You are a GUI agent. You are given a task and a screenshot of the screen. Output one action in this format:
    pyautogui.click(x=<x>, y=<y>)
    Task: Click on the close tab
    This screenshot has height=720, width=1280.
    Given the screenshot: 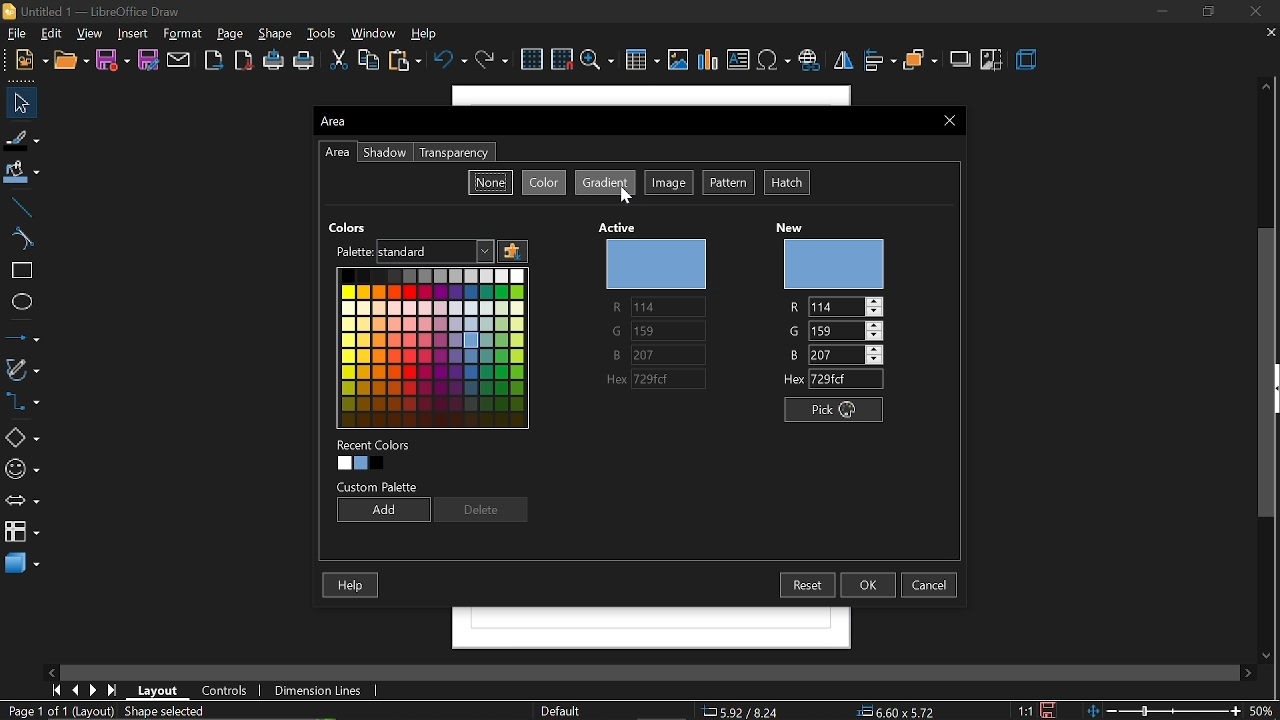 What is the action you would take?
    pyautogui.click(x=1267, y=35)
    